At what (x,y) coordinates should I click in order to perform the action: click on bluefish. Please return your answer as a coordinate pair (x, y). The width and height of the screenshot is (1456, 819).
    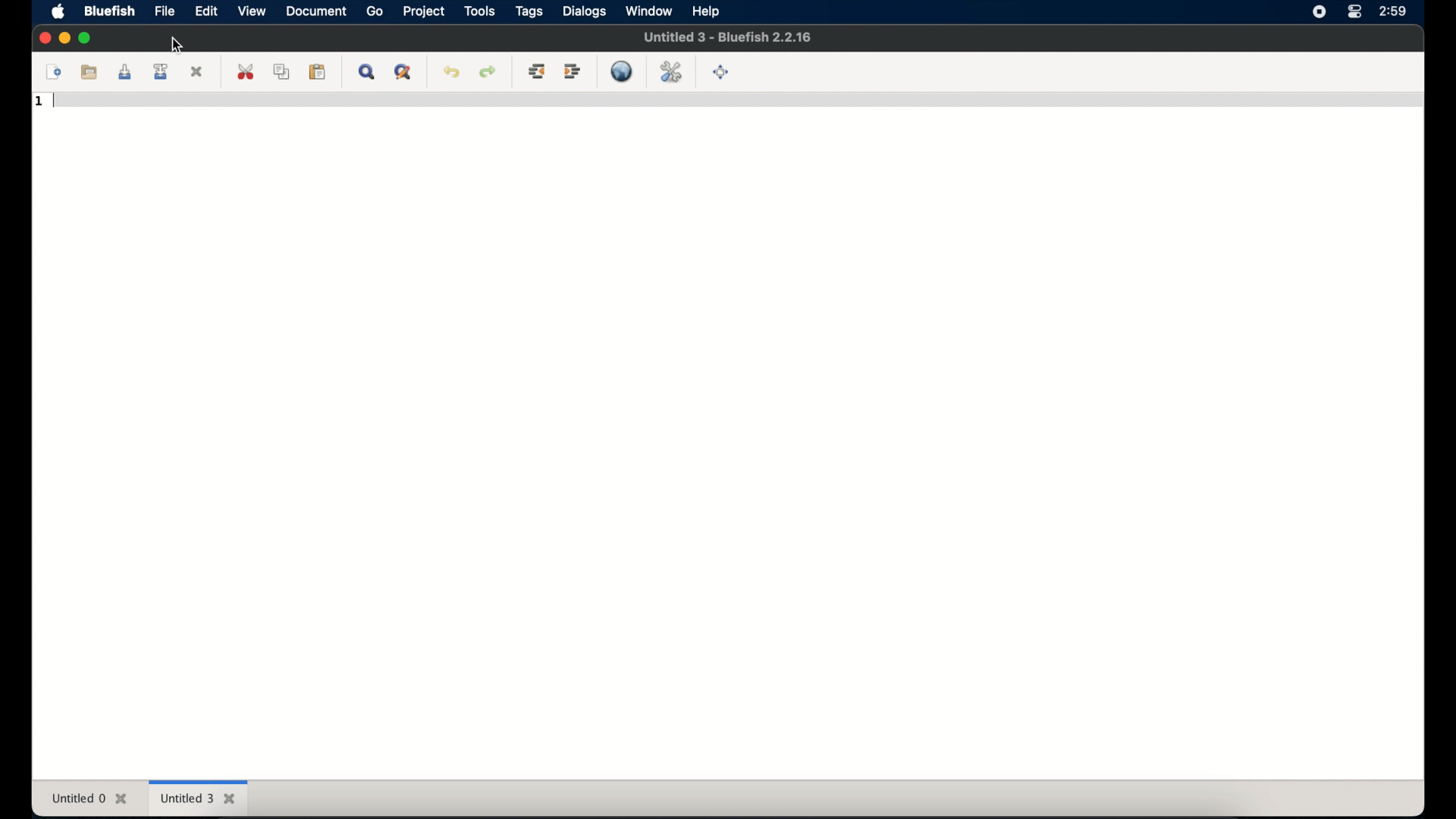
    Looking at the image, I should click on (110, 11).